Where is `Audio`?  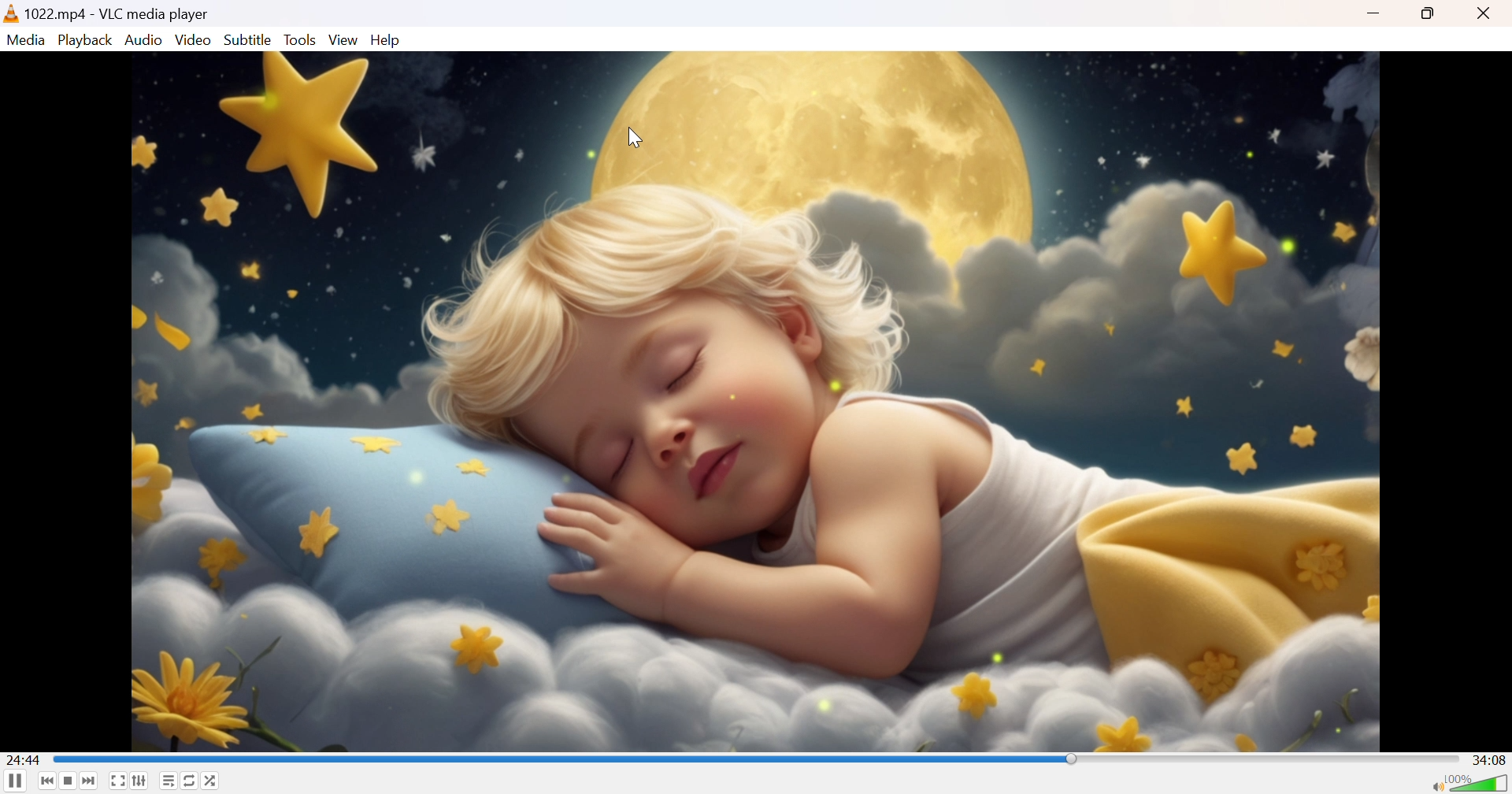
Audio is located at coordinates (146, 41).